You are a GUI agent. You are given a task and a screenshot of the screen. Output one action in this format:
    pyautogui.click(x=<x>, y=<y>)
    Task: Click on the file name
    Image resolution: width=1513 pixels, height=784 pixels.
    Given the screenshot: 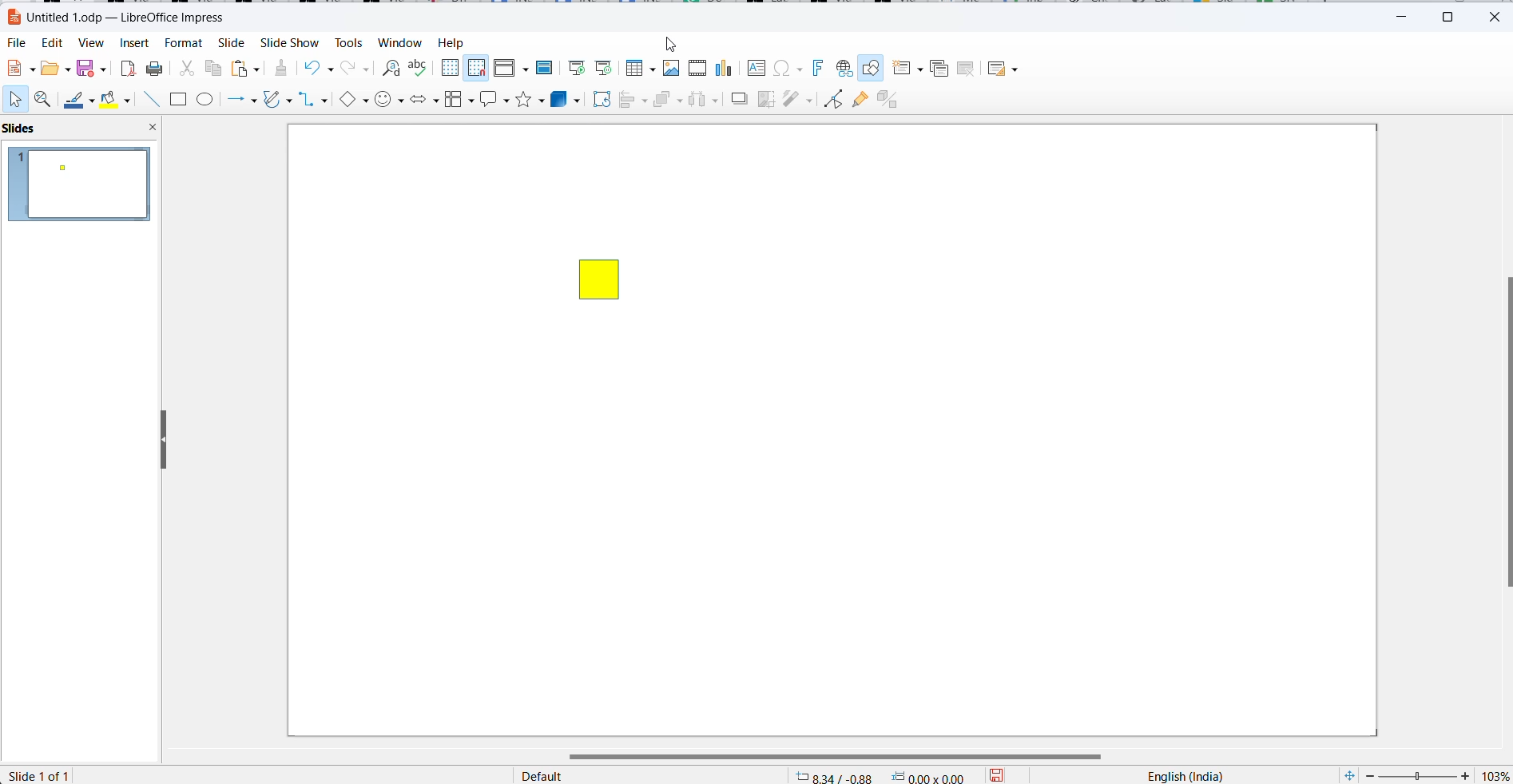 What is the action you would take?
    pyautogui.click(x=117, y=16)
    